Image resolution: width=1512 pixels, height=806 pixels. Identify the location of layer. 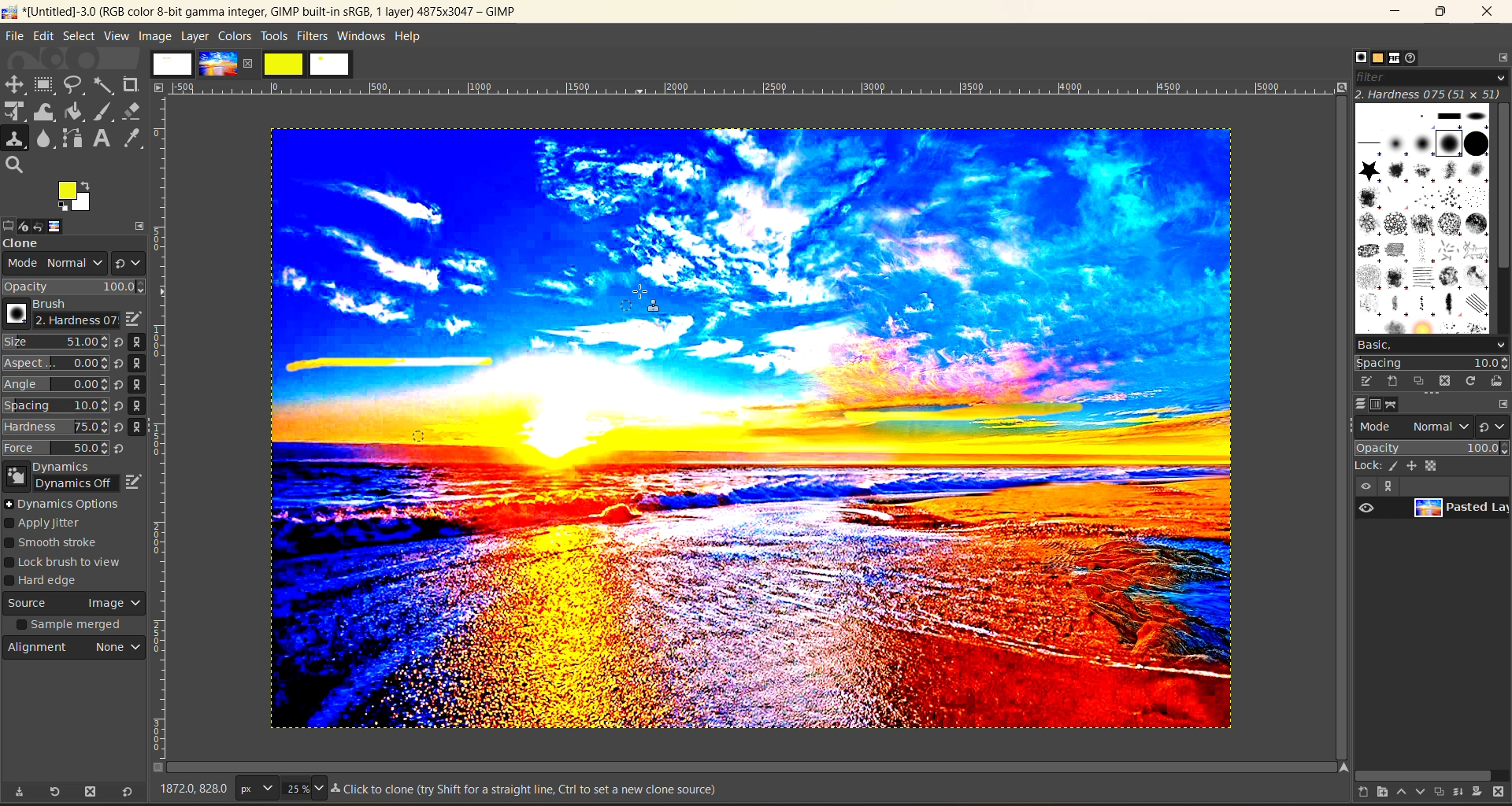
(1458, 511).